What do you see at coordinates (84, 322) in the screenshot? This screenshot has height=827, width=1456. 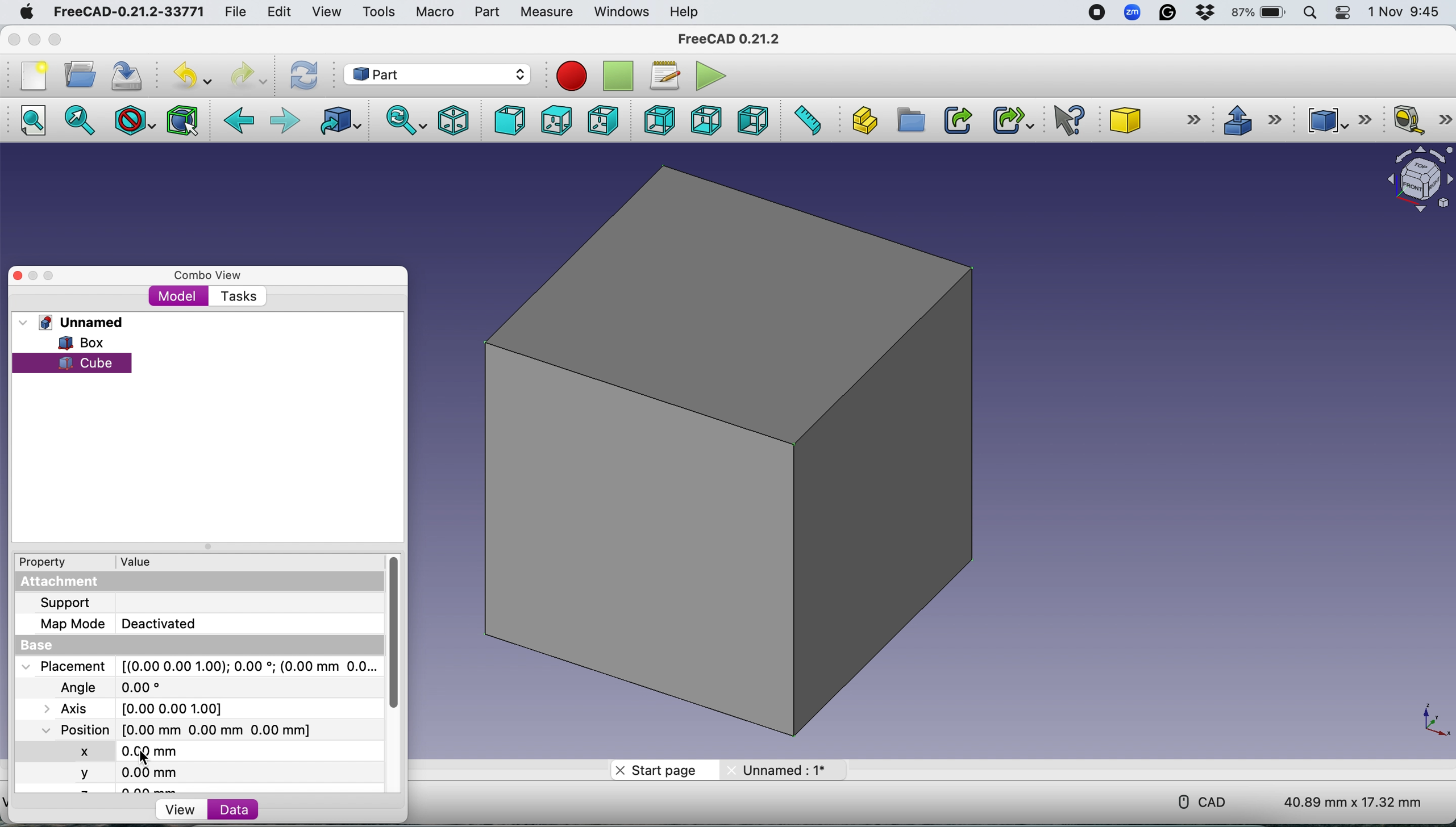 I see `Unnamed` at bounding box center [84, 322].